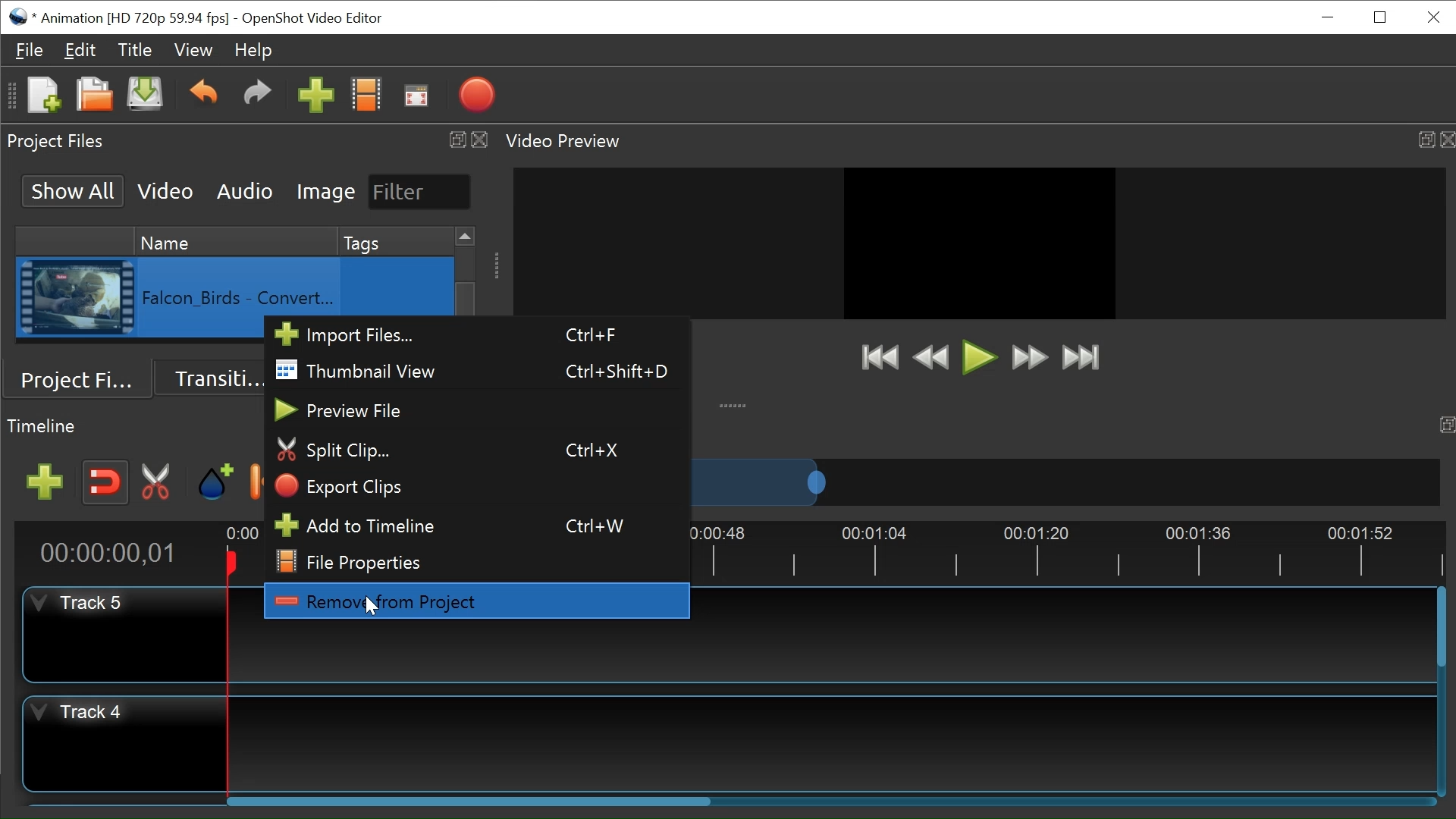 Image resolution: width=1456 pixels, height=819 pixels. I want to click on Maximize, so click(1426, 140).